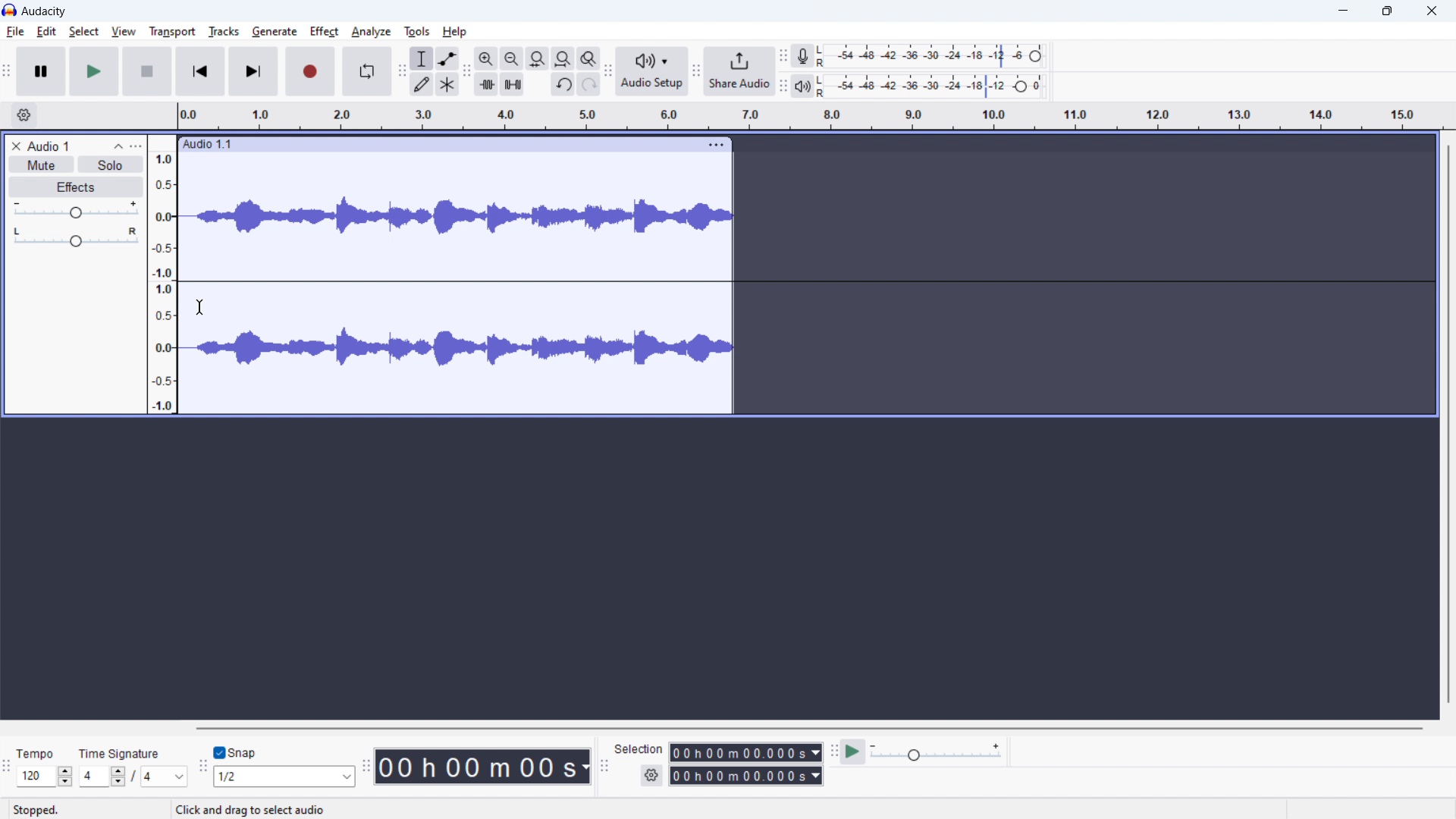 The image size is (1456, 819). I want to click on effects, so click(75, 187).